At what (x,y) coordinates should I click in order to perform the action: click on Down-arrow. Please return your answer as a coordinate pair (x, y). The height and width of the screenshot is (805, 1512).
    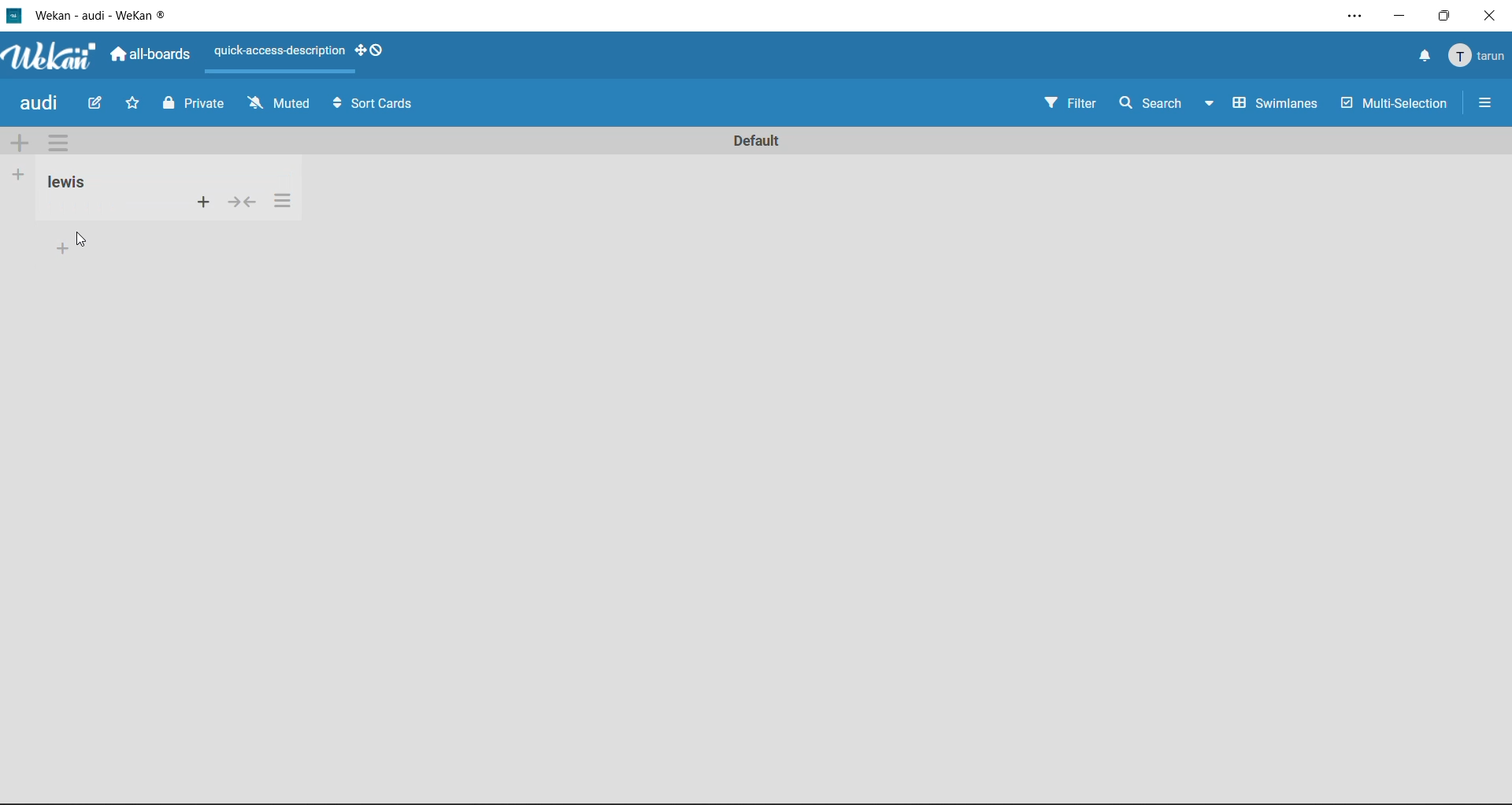
    Looking at the image, I should click on (1206, 101).